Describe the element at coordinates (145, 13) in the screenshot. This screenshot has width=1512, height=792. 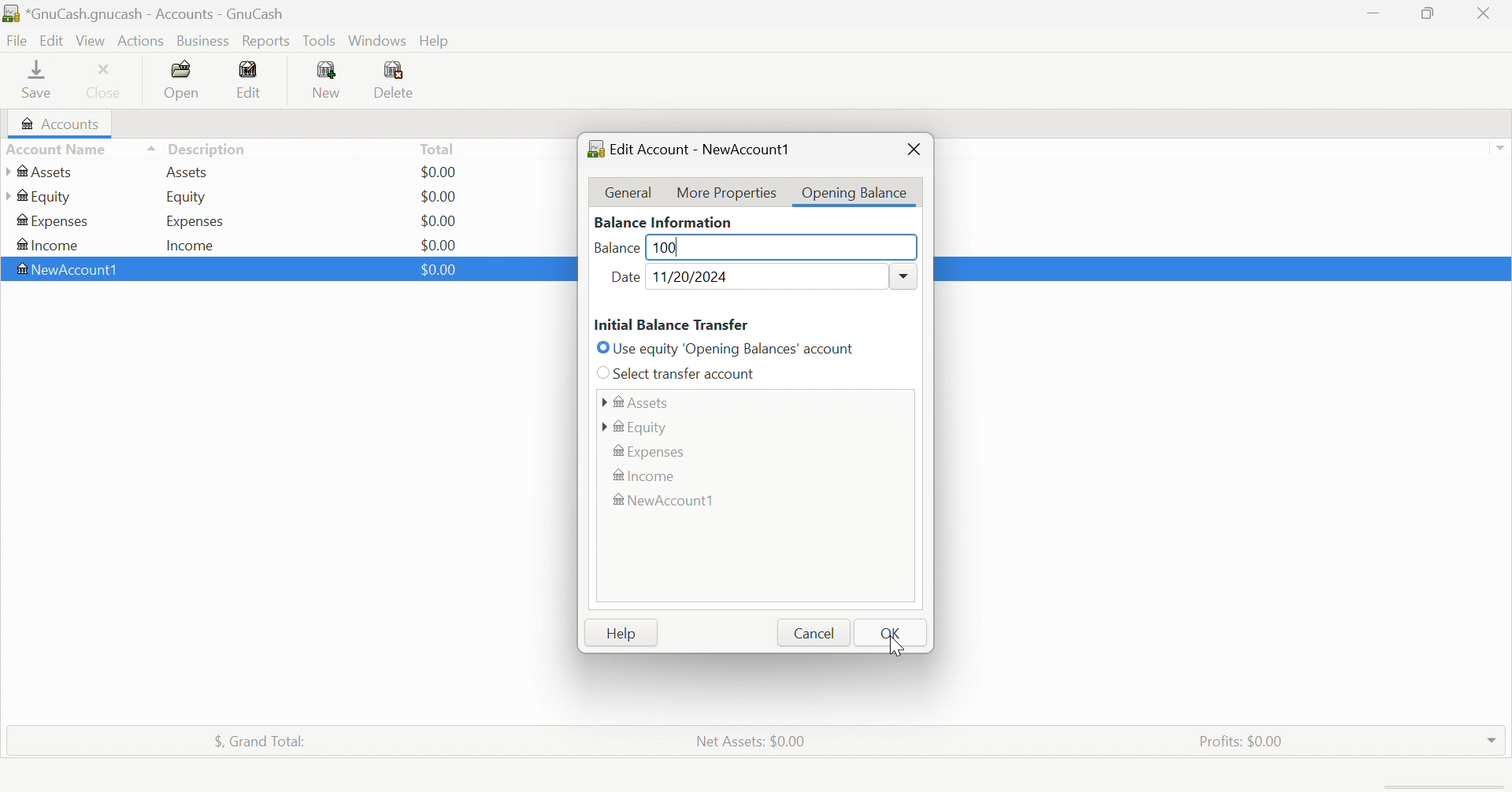
I see `*GnuCash.gnucash - Accounts - GnuCash` at that location.